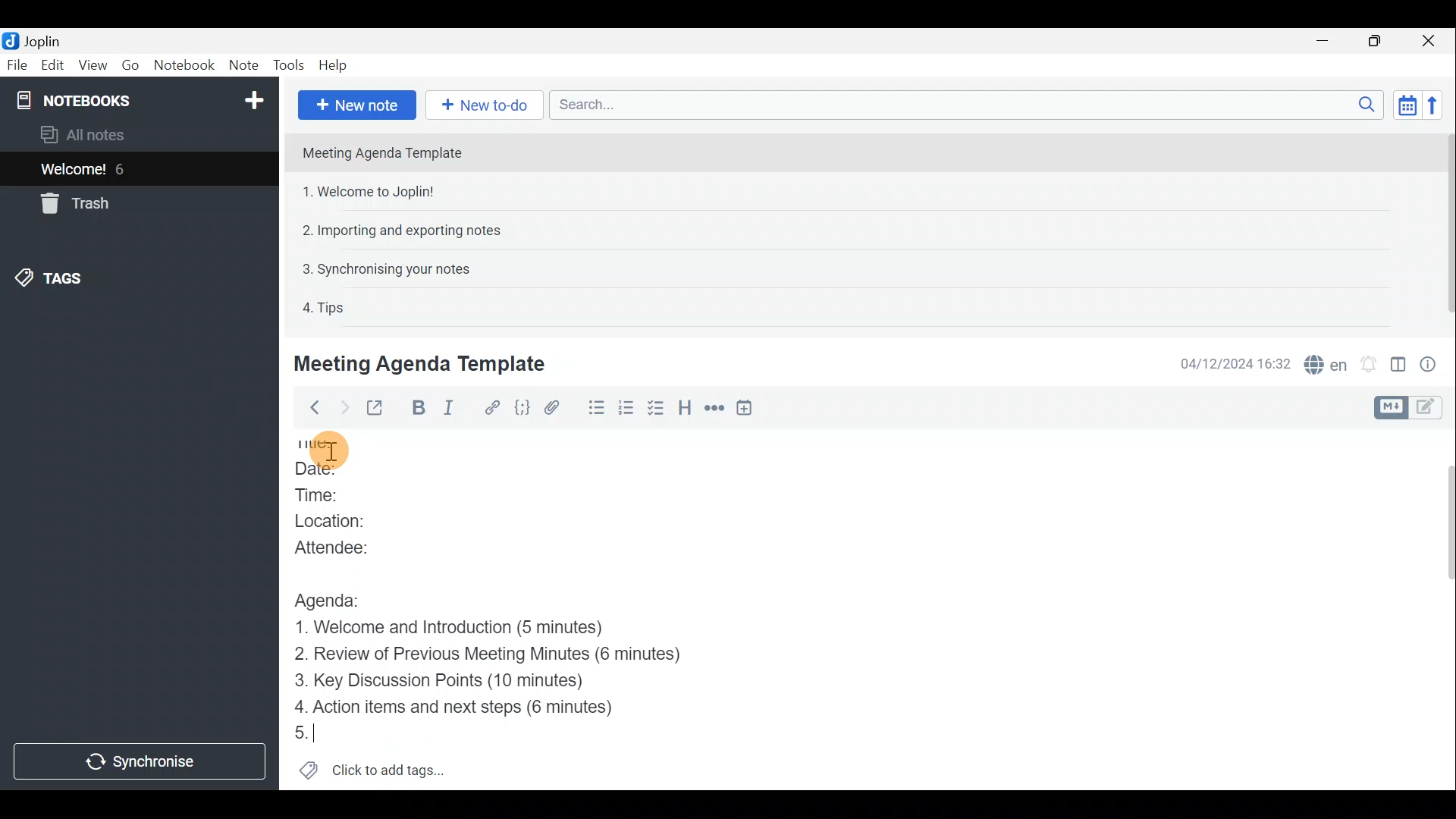 The width and height of the screenshot is (1456, 819). What do you see at coordinates (595, 408) in the screenshot?
I see `Bulleted list` at bounding box center [595, 408].